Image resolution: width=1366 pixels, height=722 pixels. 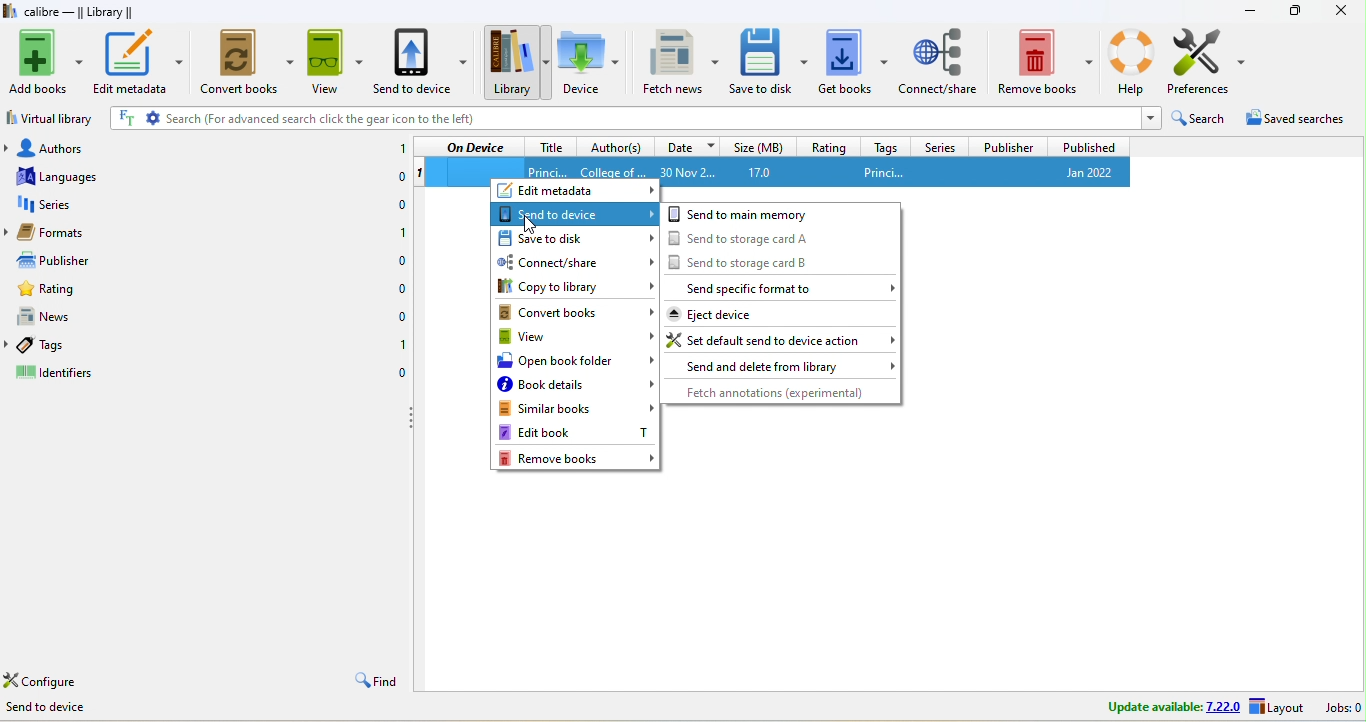 I want to click on fetch annotations, so click(x=782, y=394).